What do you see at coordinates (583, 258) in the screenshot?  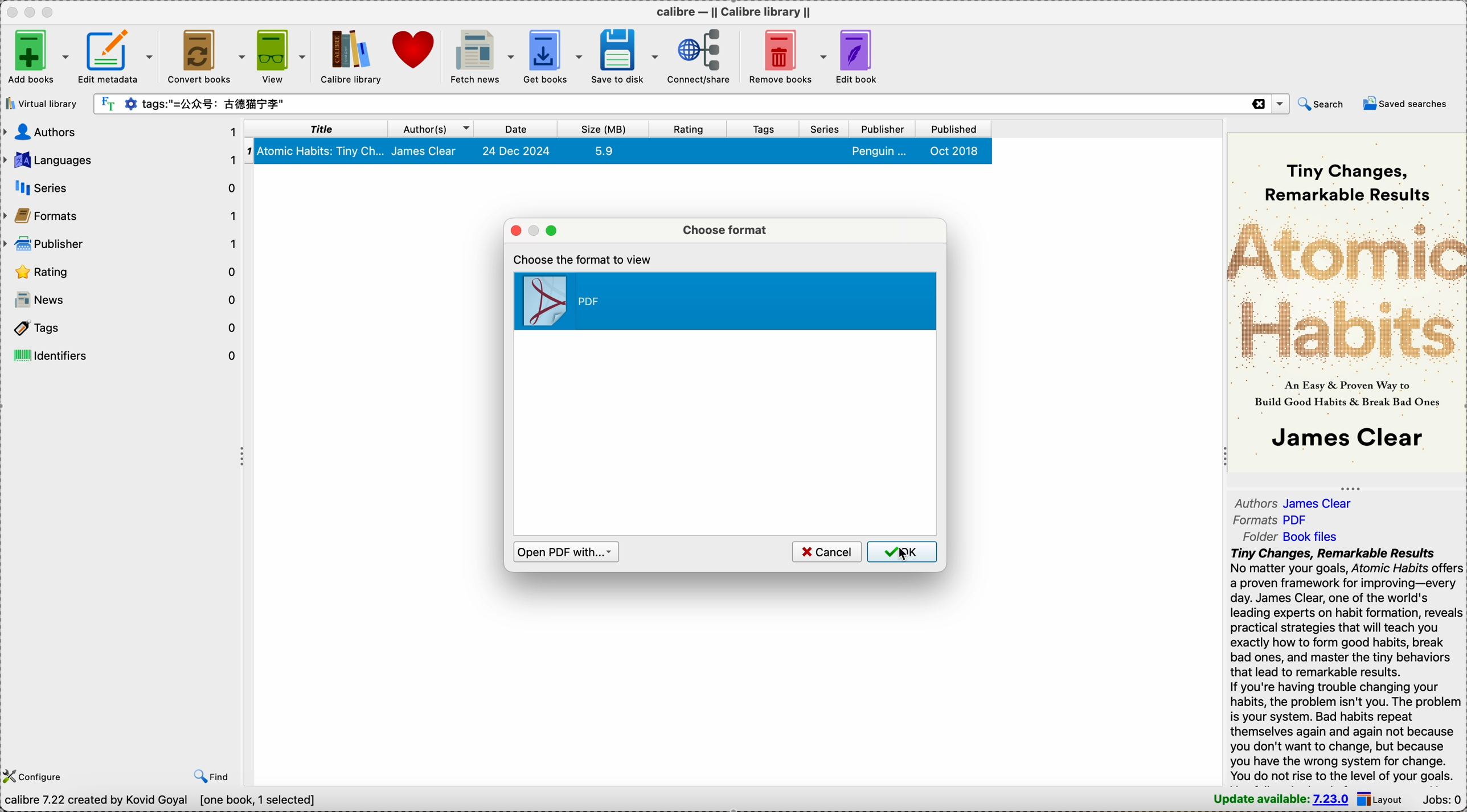 I see `choose the format to view` at bounding box center [583, 258].